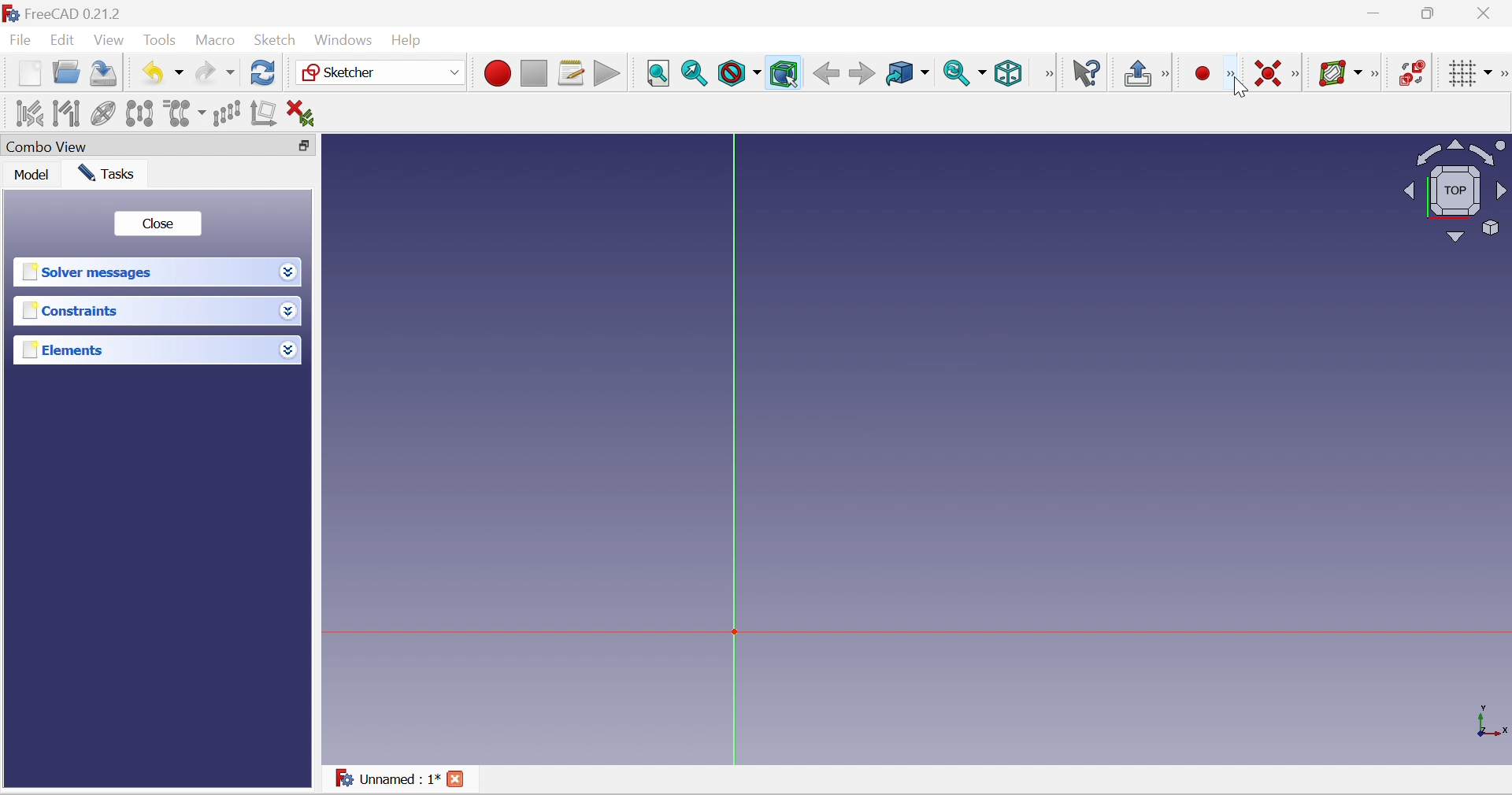 The height and width of the screenshot is (795, 1512). I want to click on Constrain coincident, so click(1269, 74).